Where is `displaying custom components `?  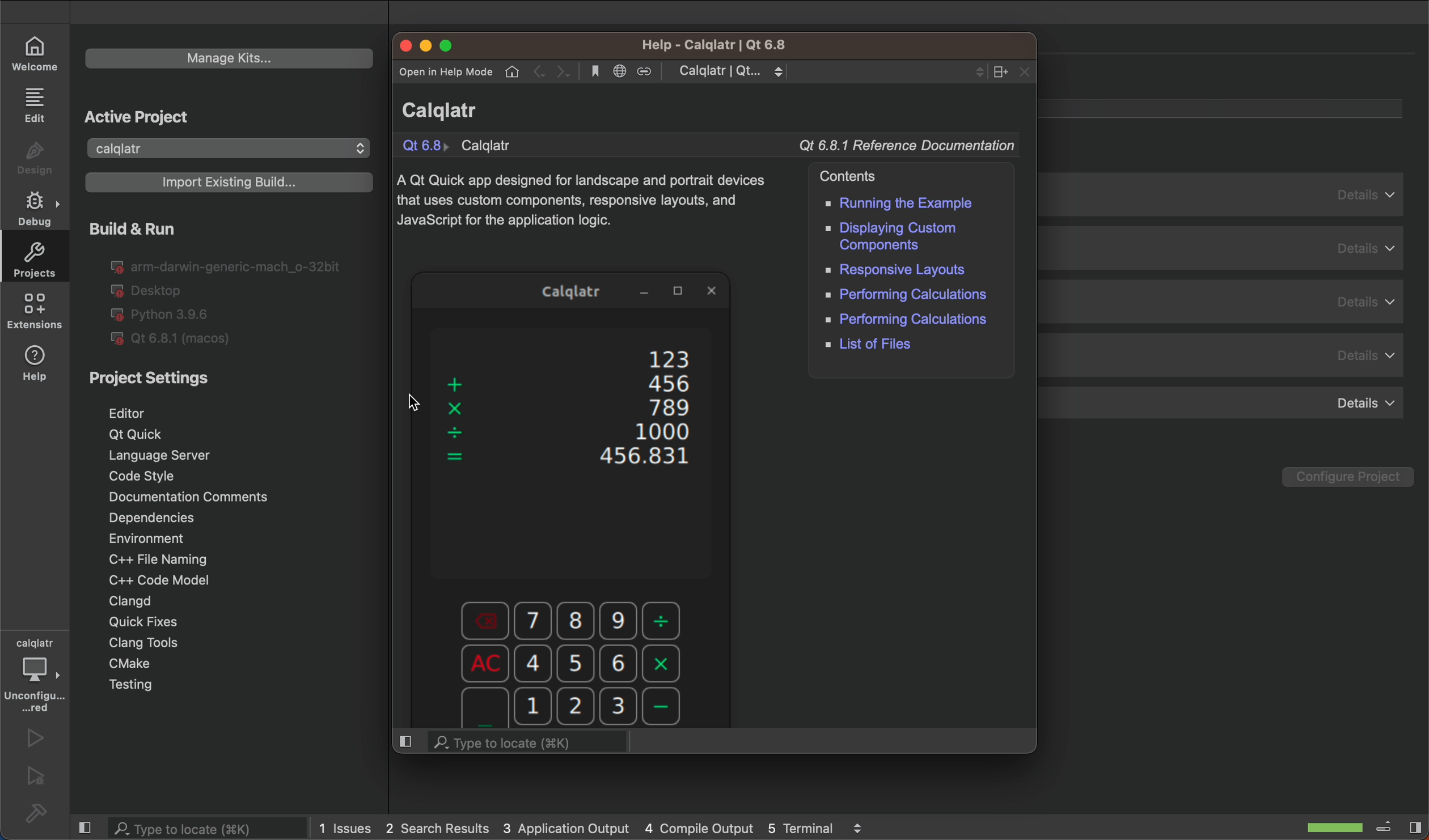 displaying custom components  is located at coordinates (902, 235).